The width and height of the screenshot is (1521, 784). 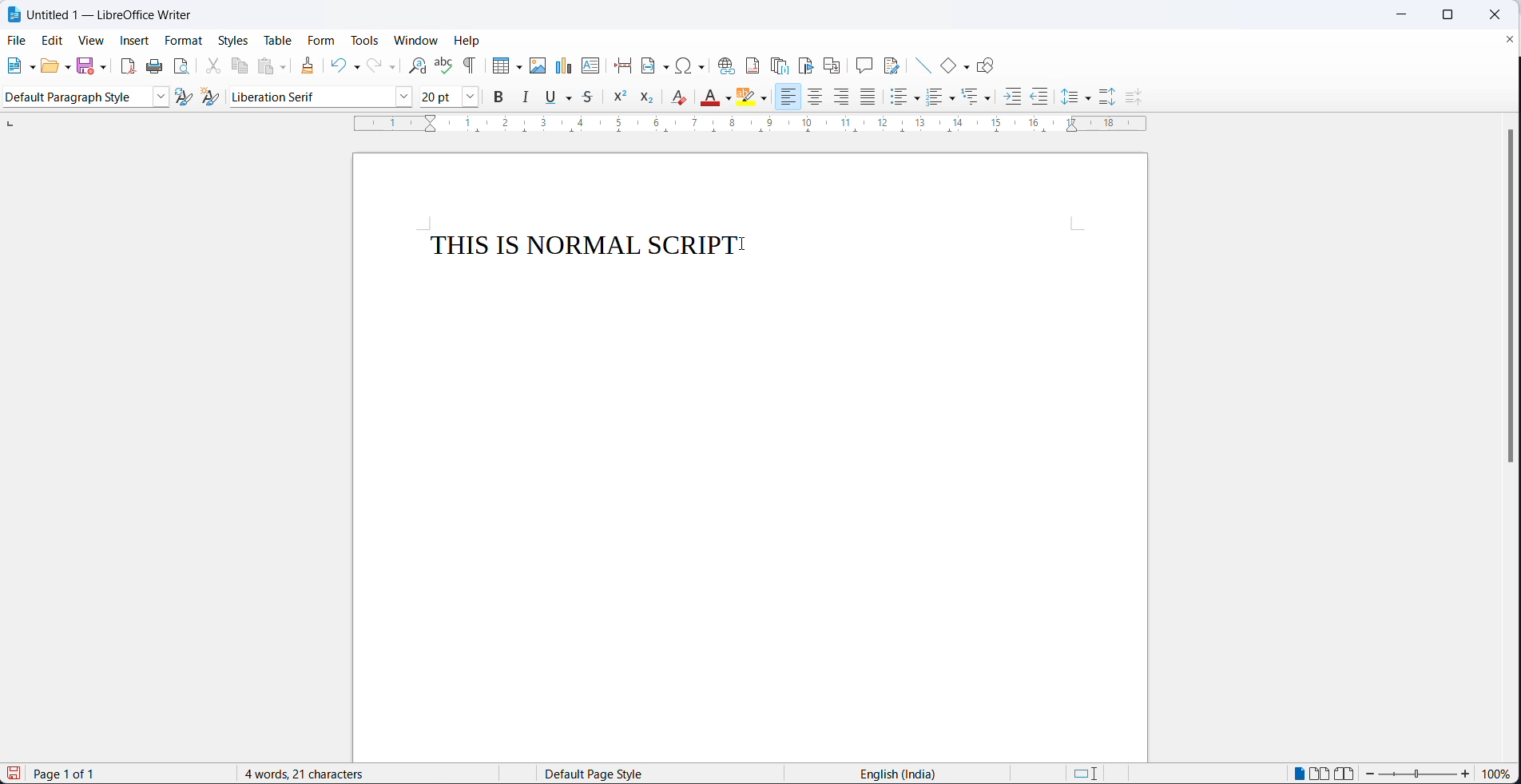 I want to click on insert table, so click(x=498, y=65).